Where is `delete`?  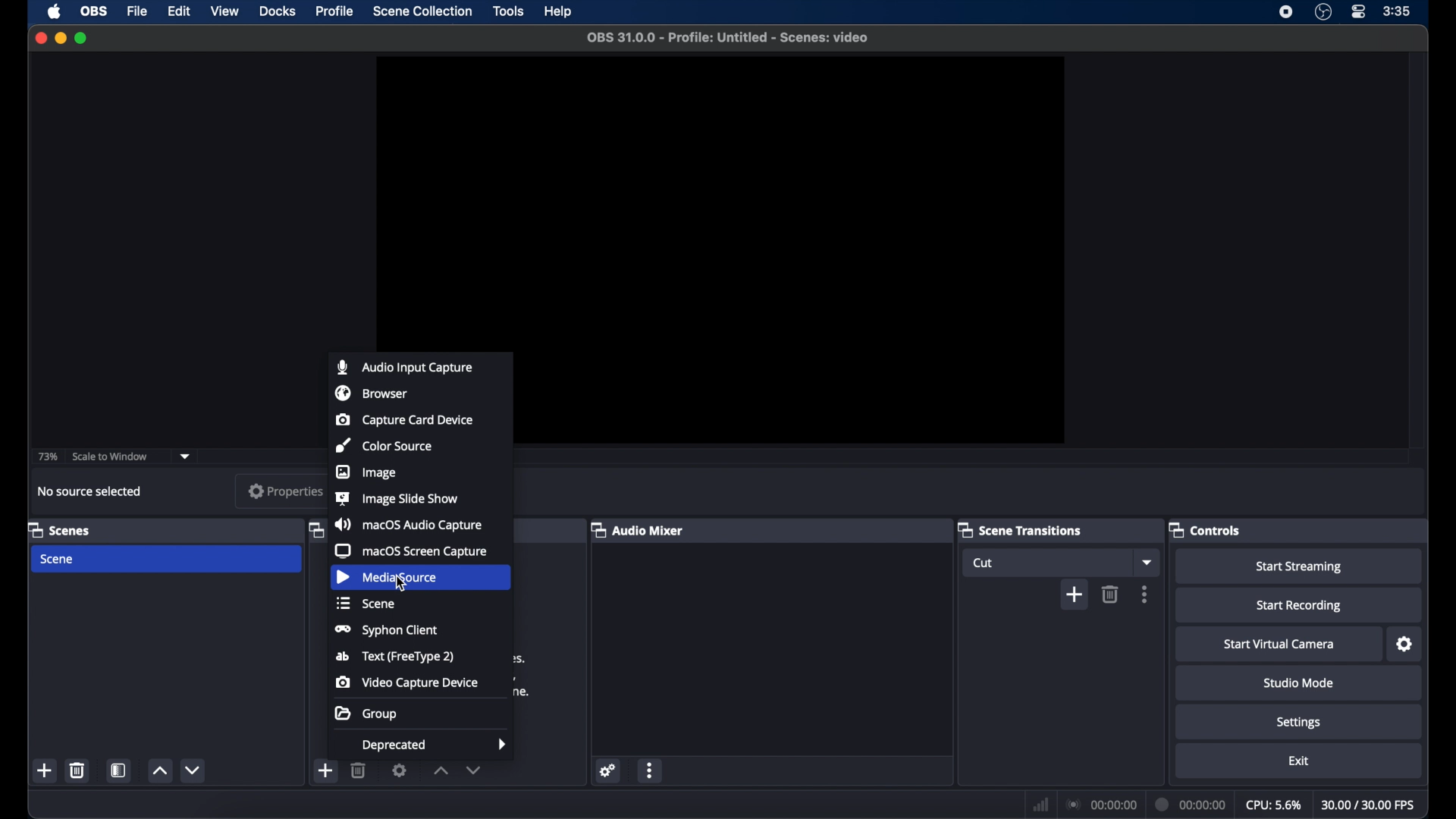
delete is located at coordinates (359, 770).